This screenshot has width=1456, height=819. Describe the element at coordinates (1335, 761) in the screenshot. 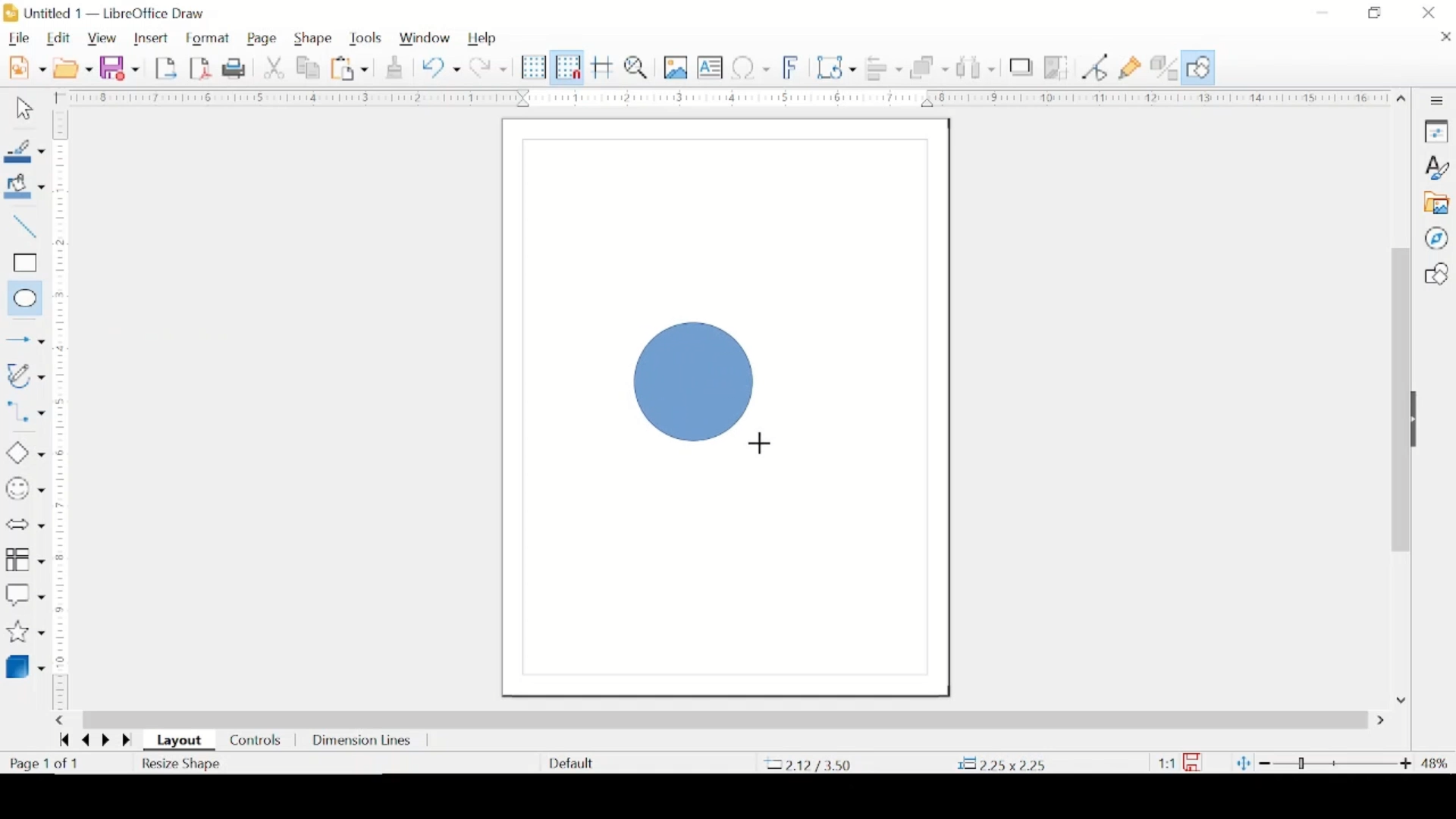

I see `zoom slider` at that location.